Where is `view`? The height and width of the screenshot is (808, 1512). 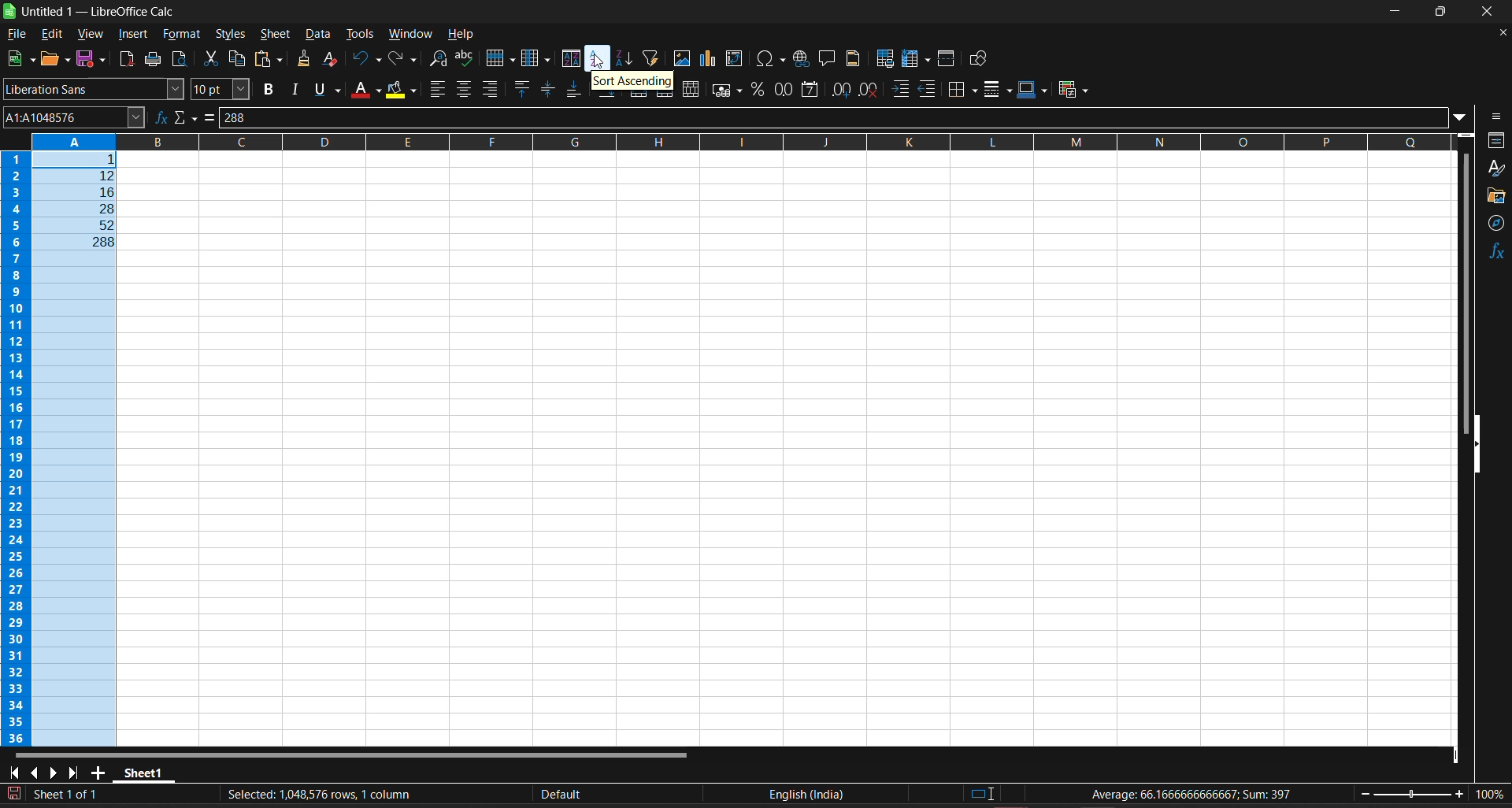
view is located at coordinates (90, 35).